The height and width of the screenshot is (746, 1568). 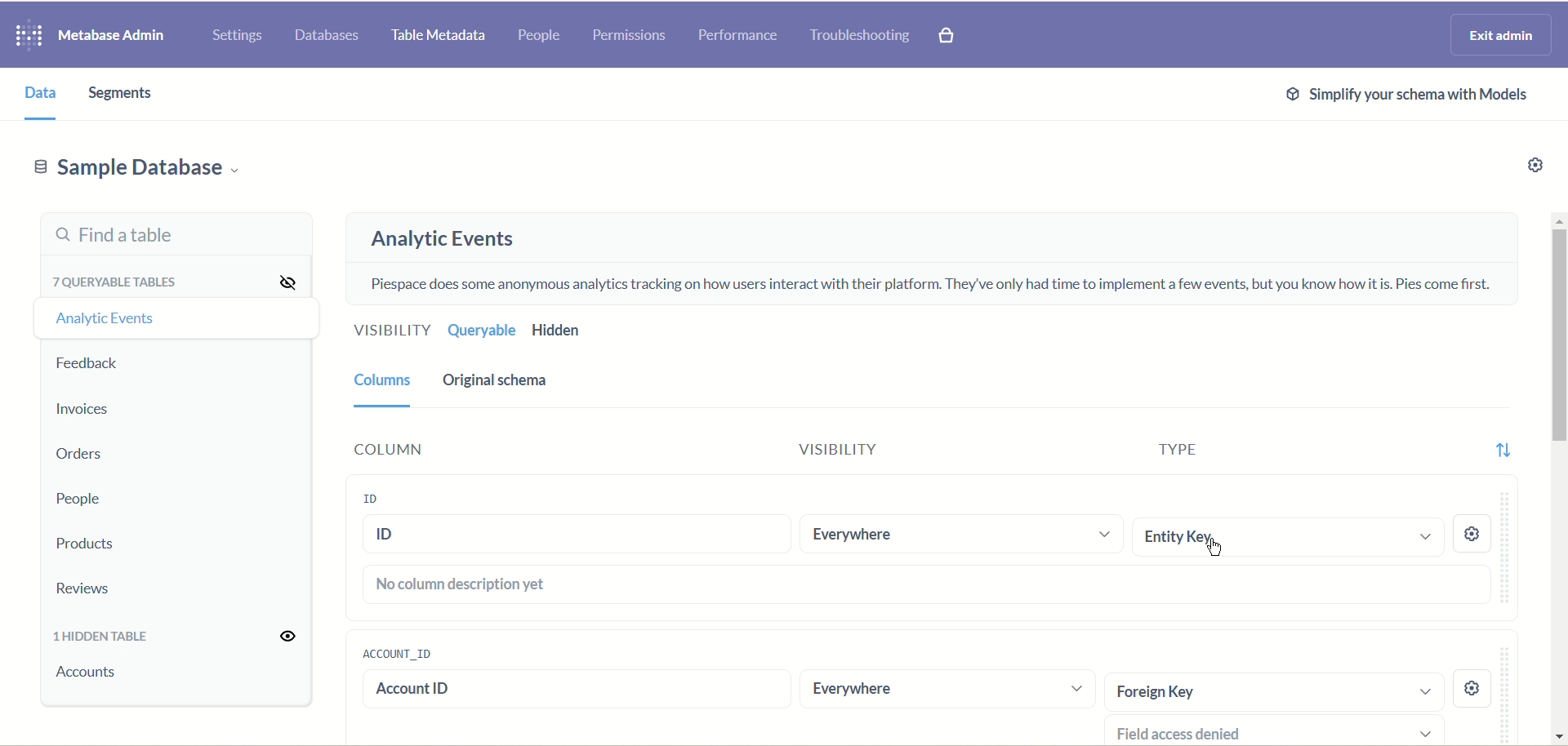 What do you see at coordinates (434, 37) in the screenshot?
I see `table metadata` at bounding box center [434, 37].